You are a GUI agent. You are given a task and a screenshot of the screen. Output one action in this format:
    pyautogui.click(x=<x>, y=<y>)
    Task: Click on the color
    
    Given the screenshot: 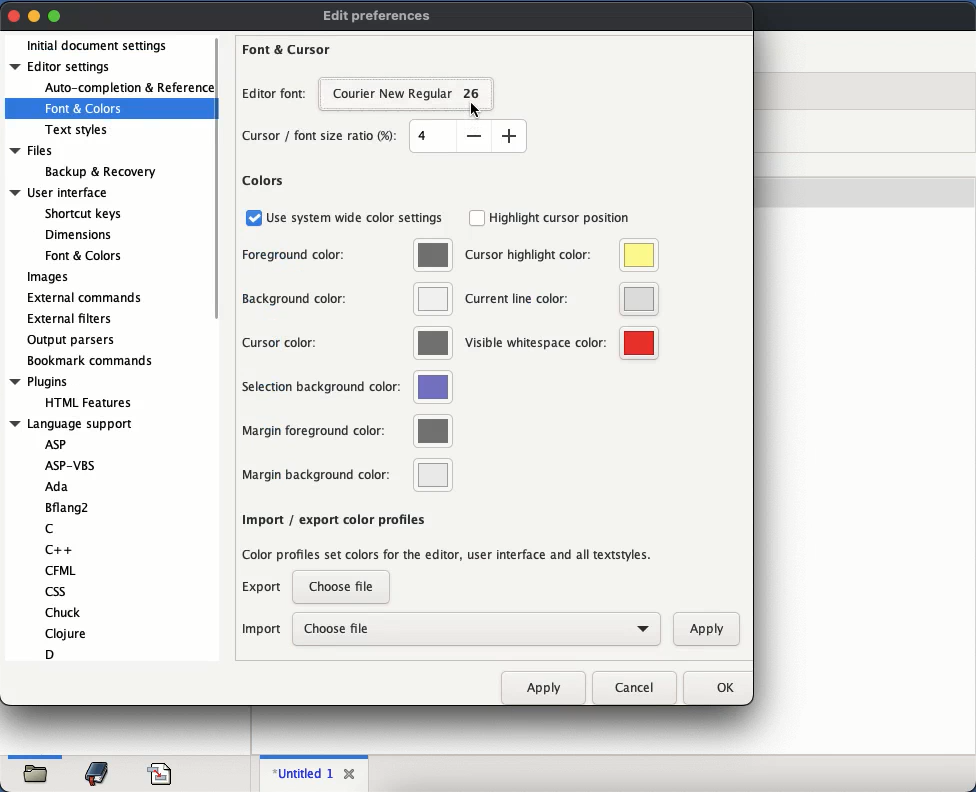 What is the action you would take?
    pyautogui.click(x=637, y=254)
    